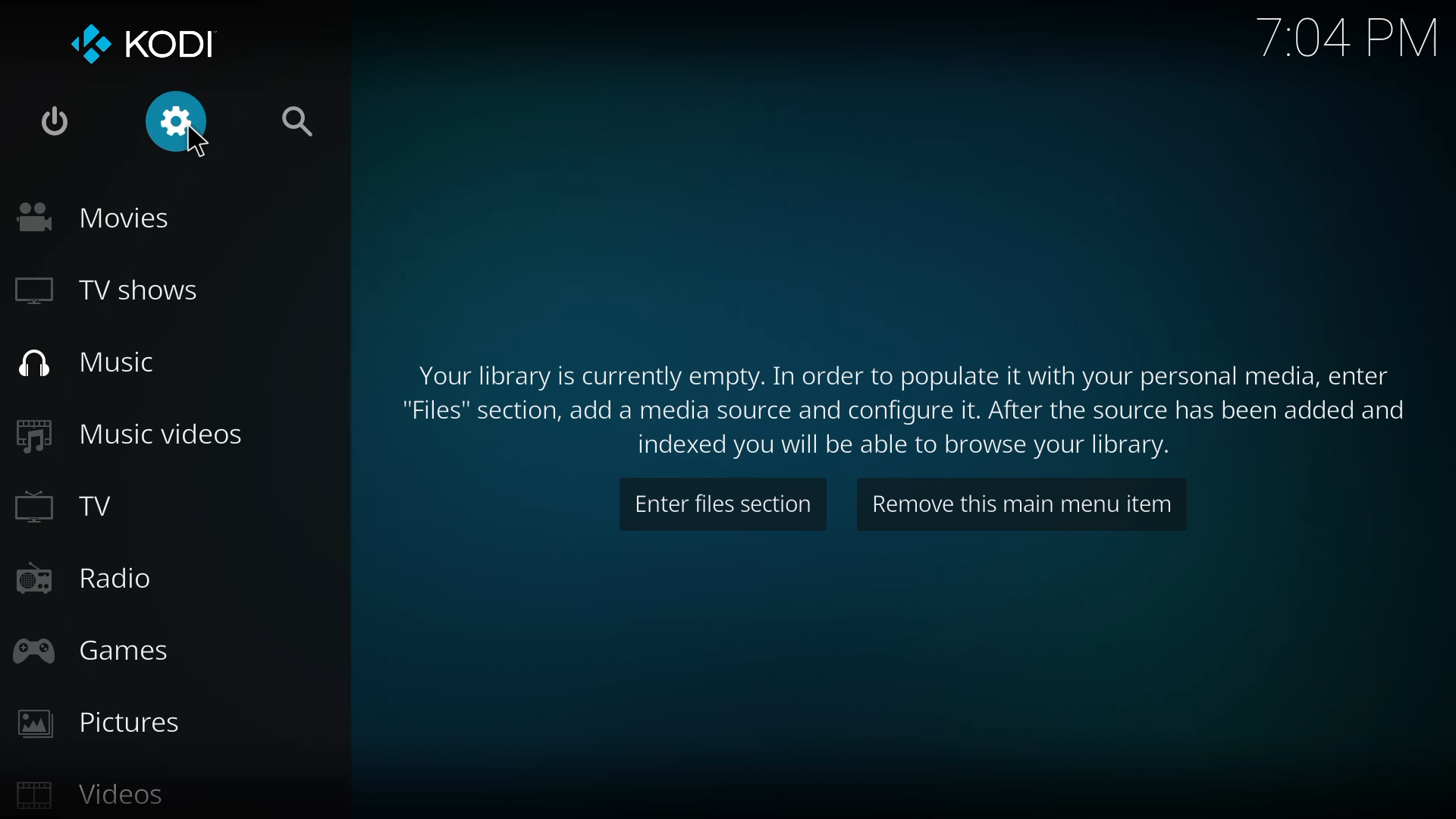  What do you see at coordinates (84, 577) in the screenshot?
I see `radio` at bounding box center [84, 577].